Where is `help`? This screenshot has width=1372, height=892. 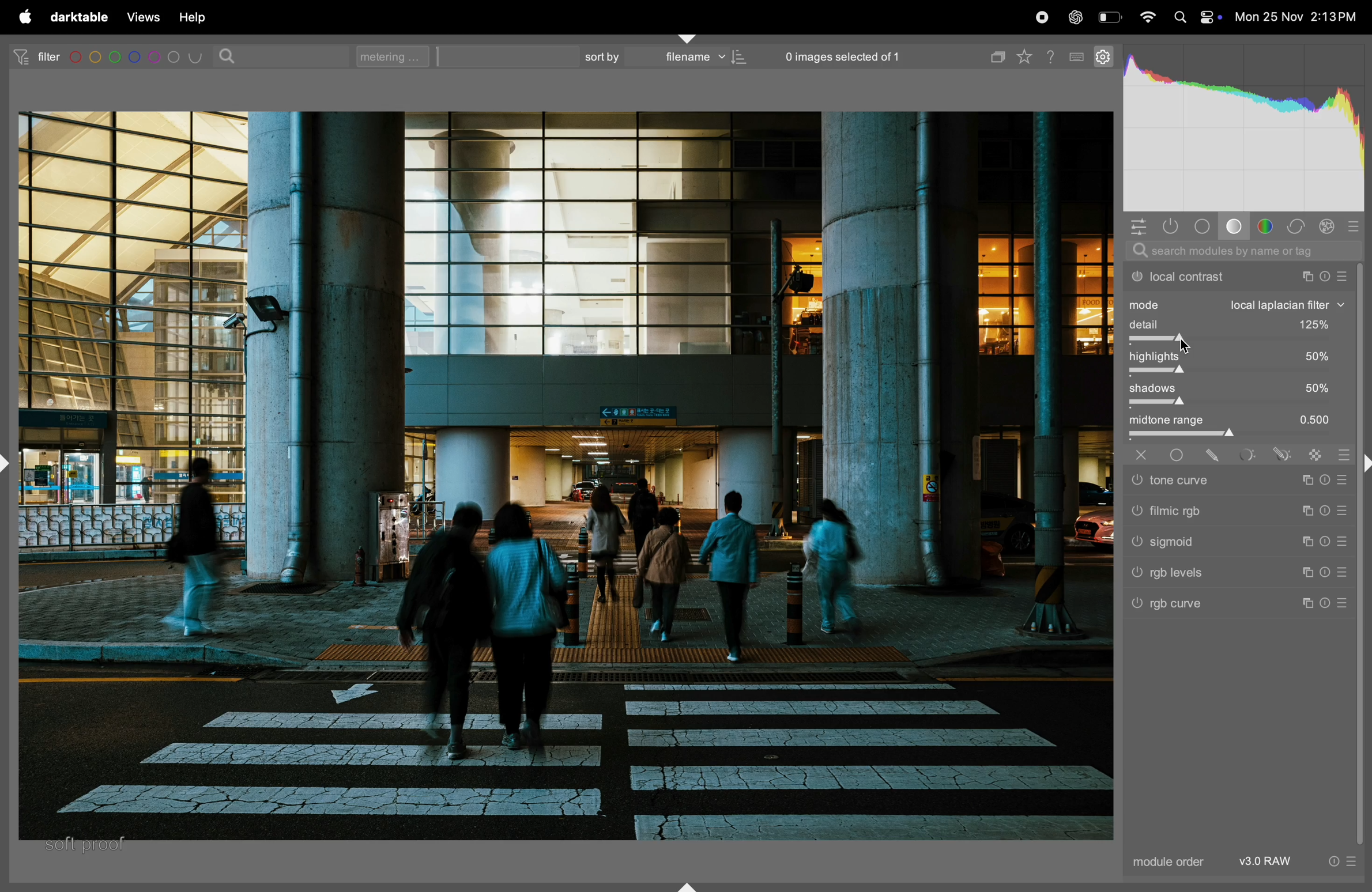 help is located at coordinates (1053, 55).